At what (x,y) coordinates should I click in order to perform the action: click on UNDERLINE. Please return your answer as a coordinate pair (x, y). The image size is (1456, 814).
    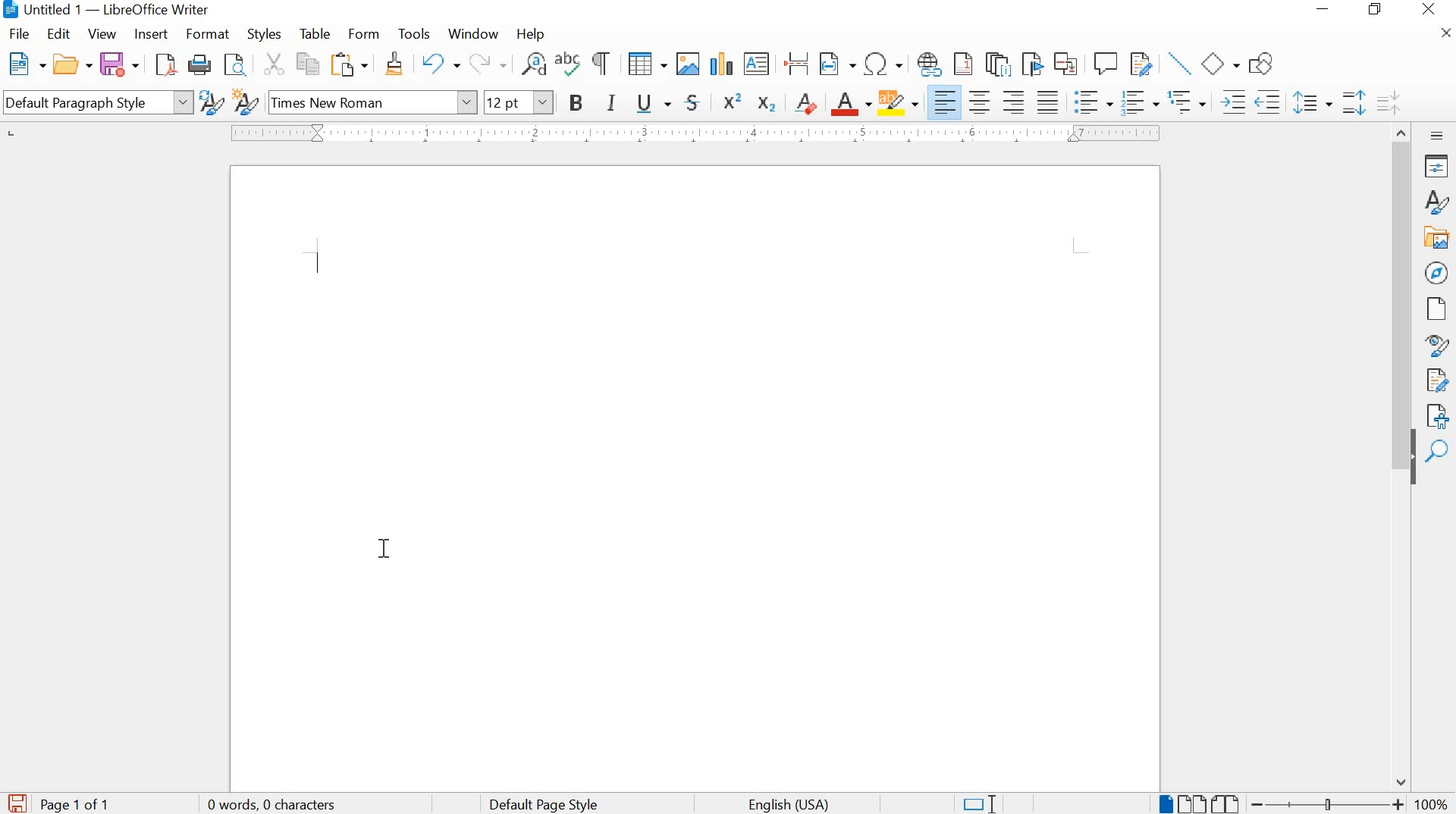
    Looking at the image, I should click on (654, 104).